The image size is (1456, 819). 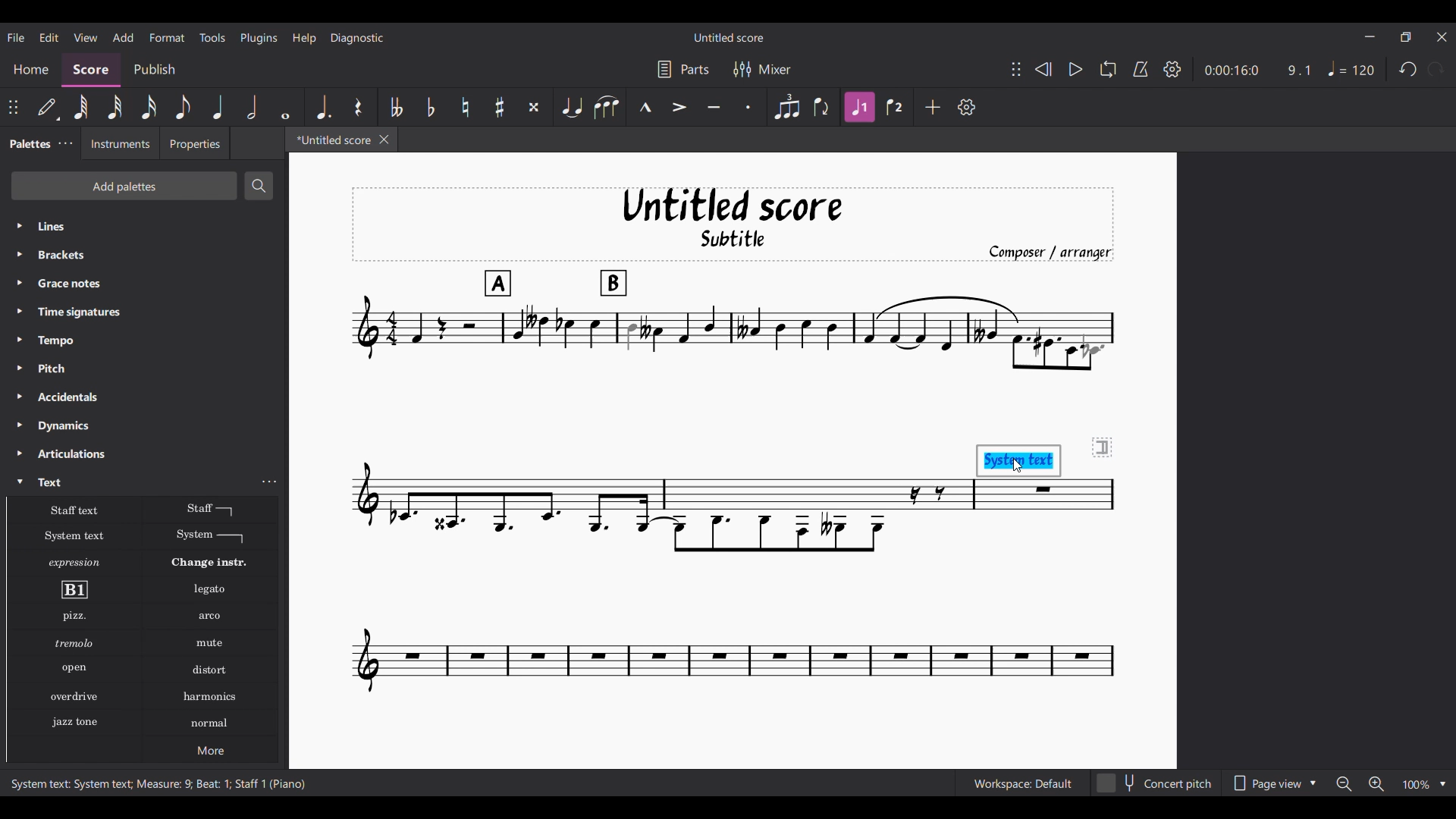 I want to click on System text: System text; Measure: 9; Beat: 1; Staff 1 (Piano), so click(x=156, y=783).